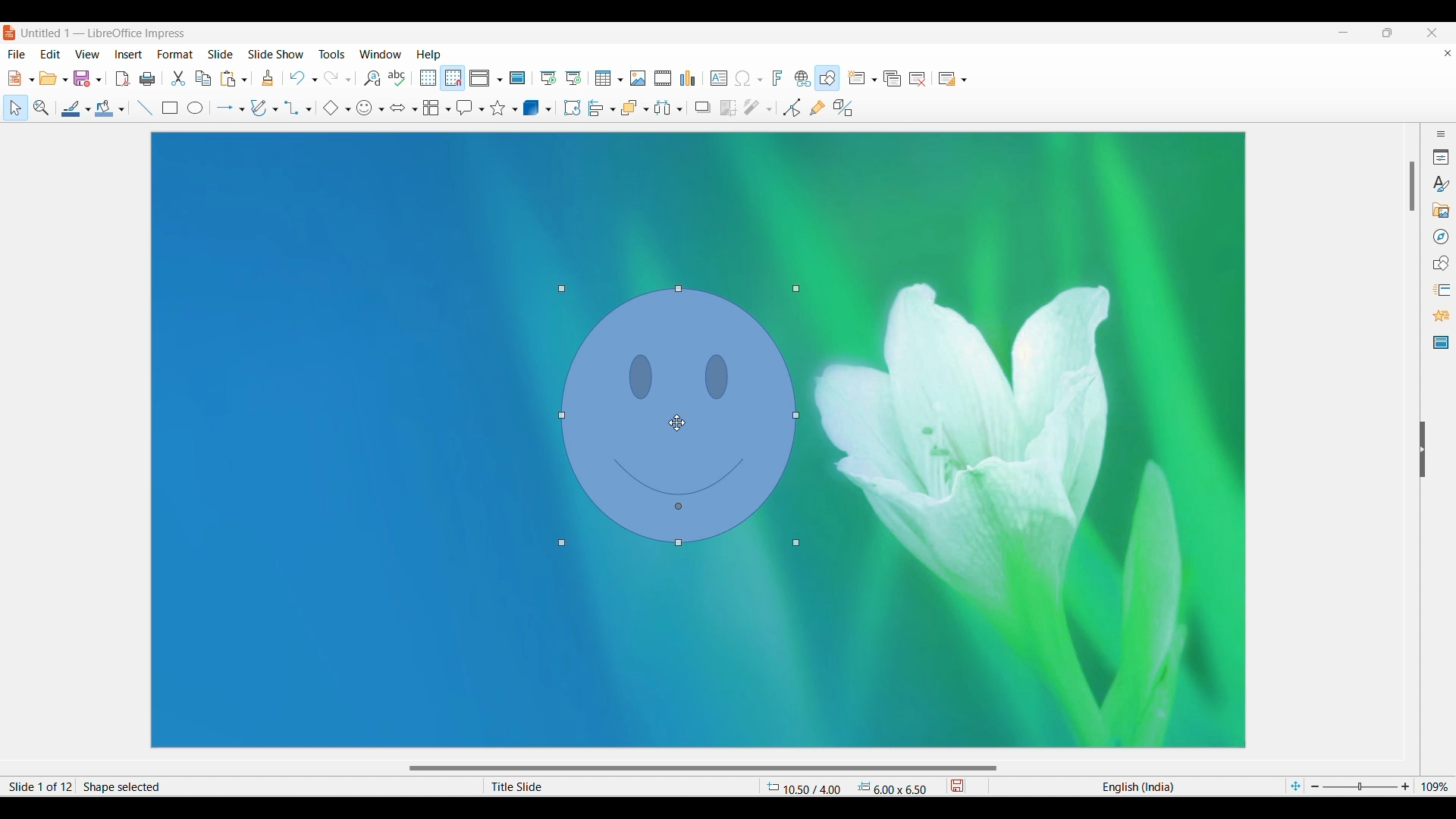 This screenshot has width=1456, height=819. What do you see at coordinates (517, 77) in the screenshot?
I see `Master slide` at bounding box center [517, 77].